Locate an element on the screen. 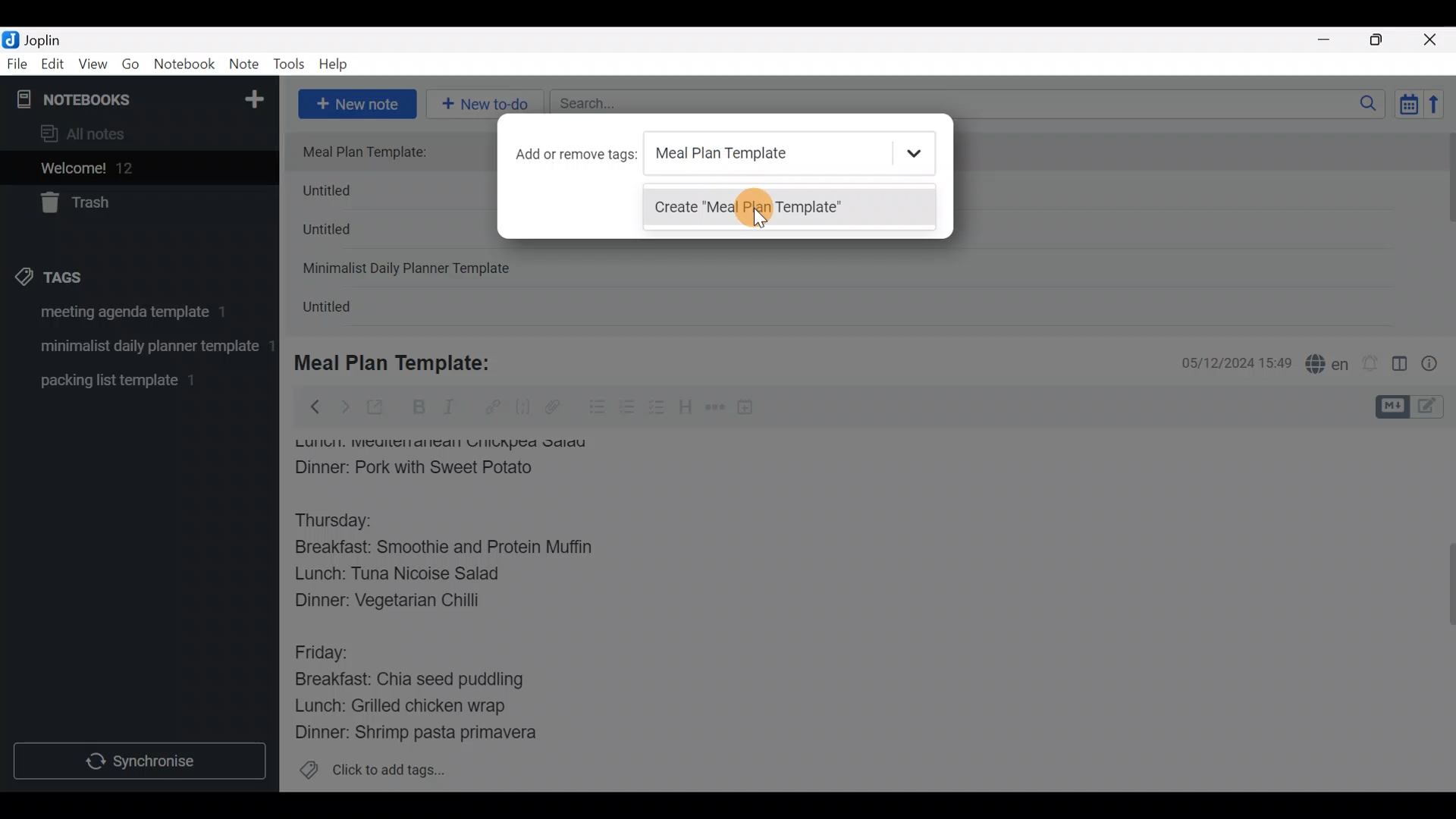 The height and width of the screenshot is (819, 1456). Insert time is located at coordinates (752, 409).